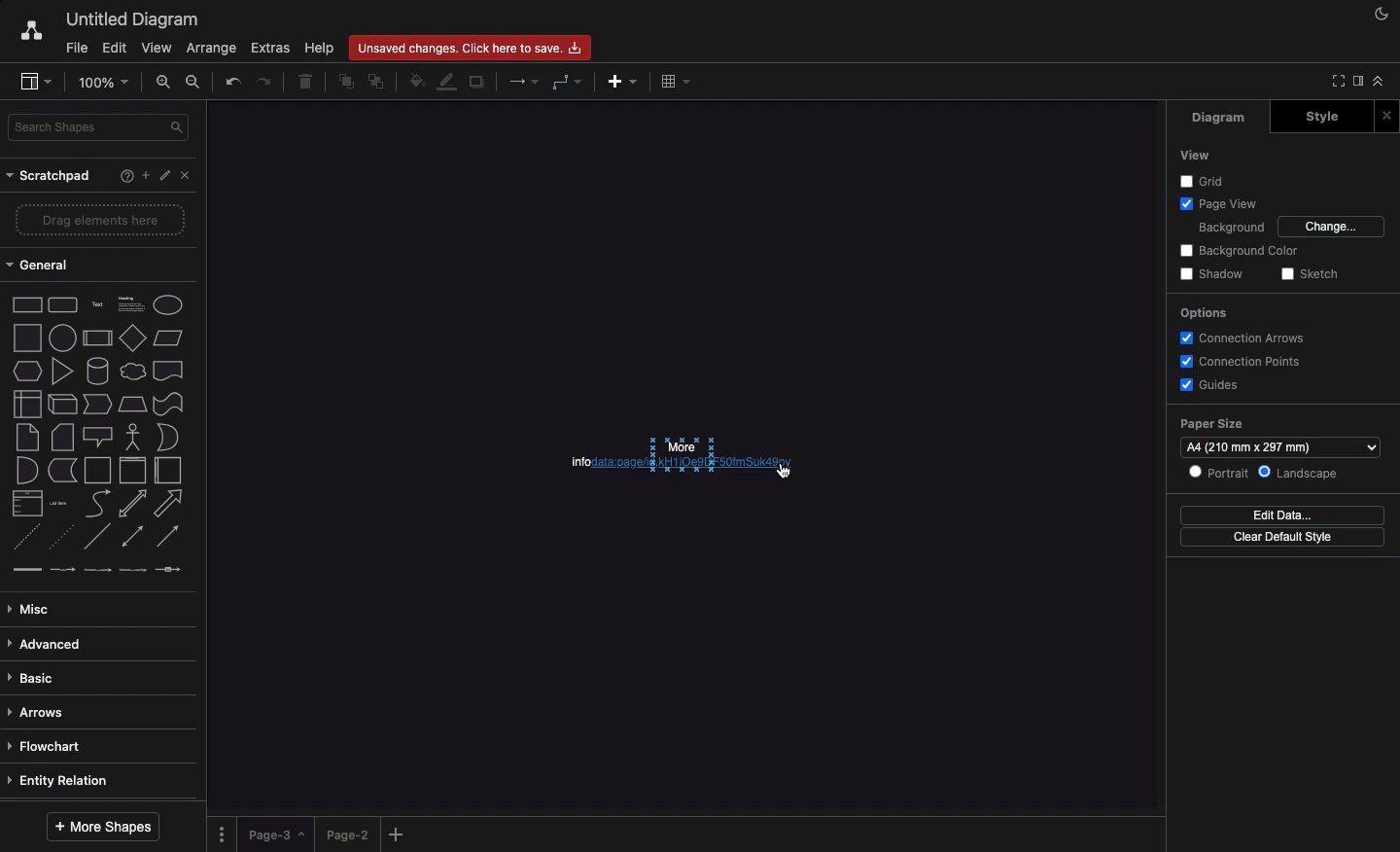 The image size is (1400, 852). What do you see at coordinates (1242, 362) in the screenshot?
I see `Connection points` at bounding box center [1242, 362].